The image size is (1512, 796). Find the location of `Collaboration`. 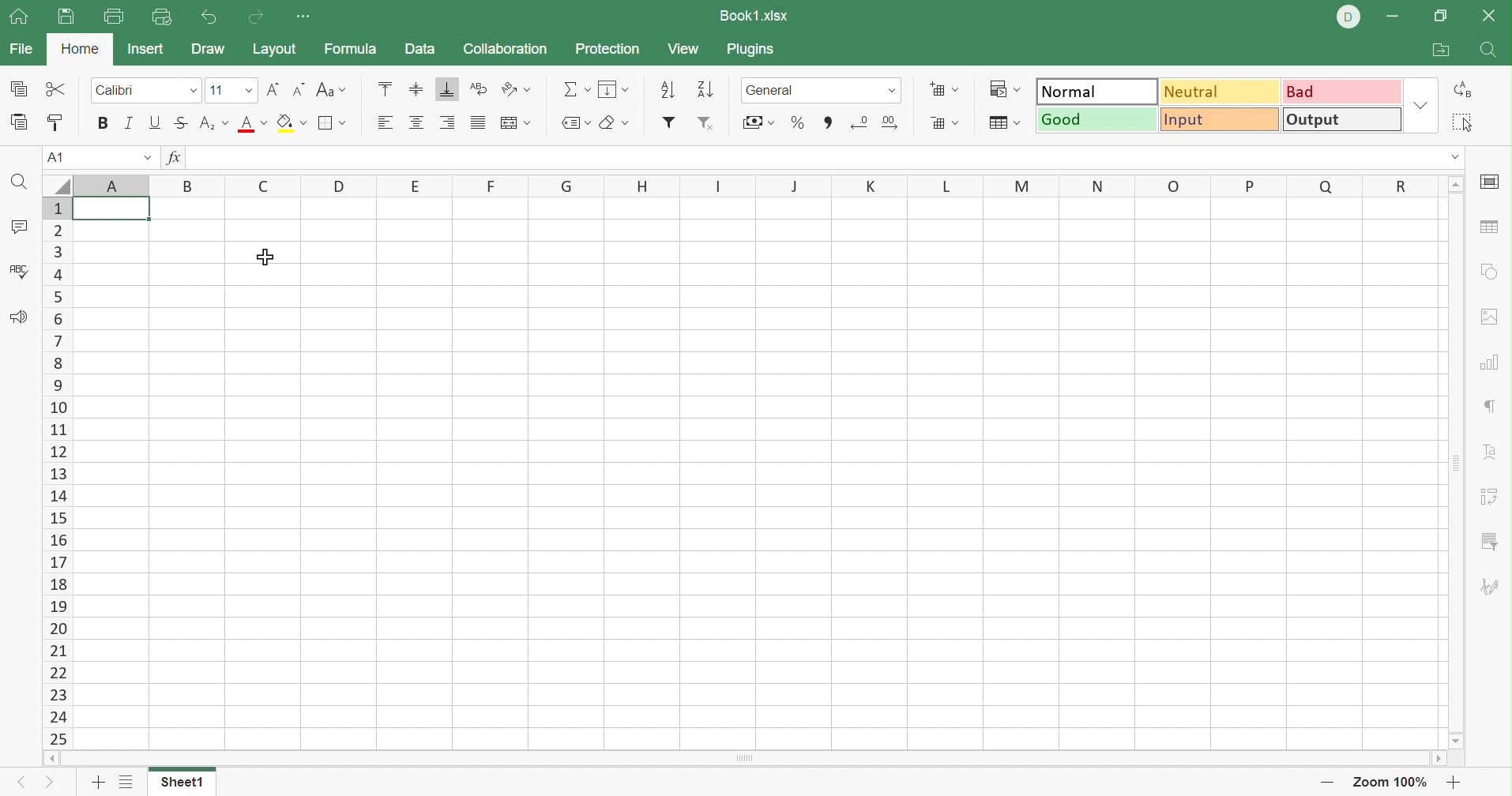

Collaboration is located at coordinates (506, 47).